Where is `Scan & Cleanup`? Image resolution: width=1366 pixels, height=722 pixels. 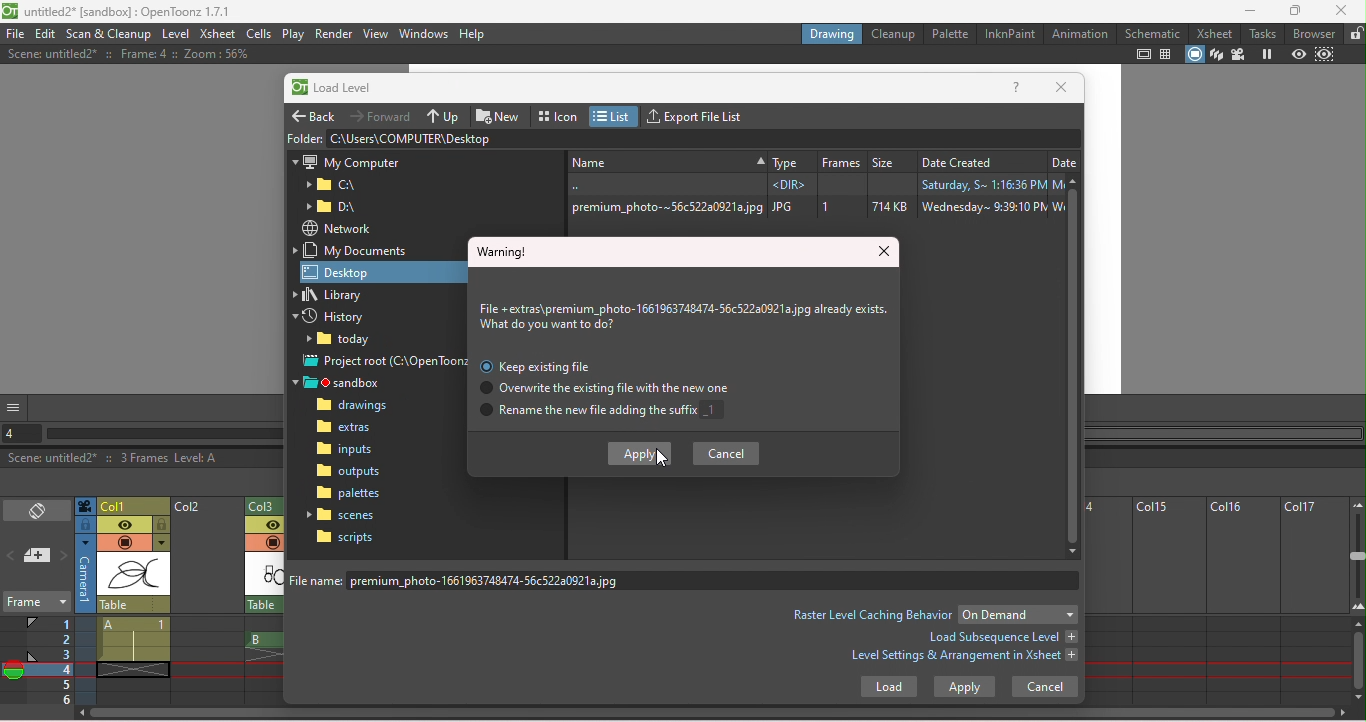 Scan & Cleanup is located at coordinates (110, 34).